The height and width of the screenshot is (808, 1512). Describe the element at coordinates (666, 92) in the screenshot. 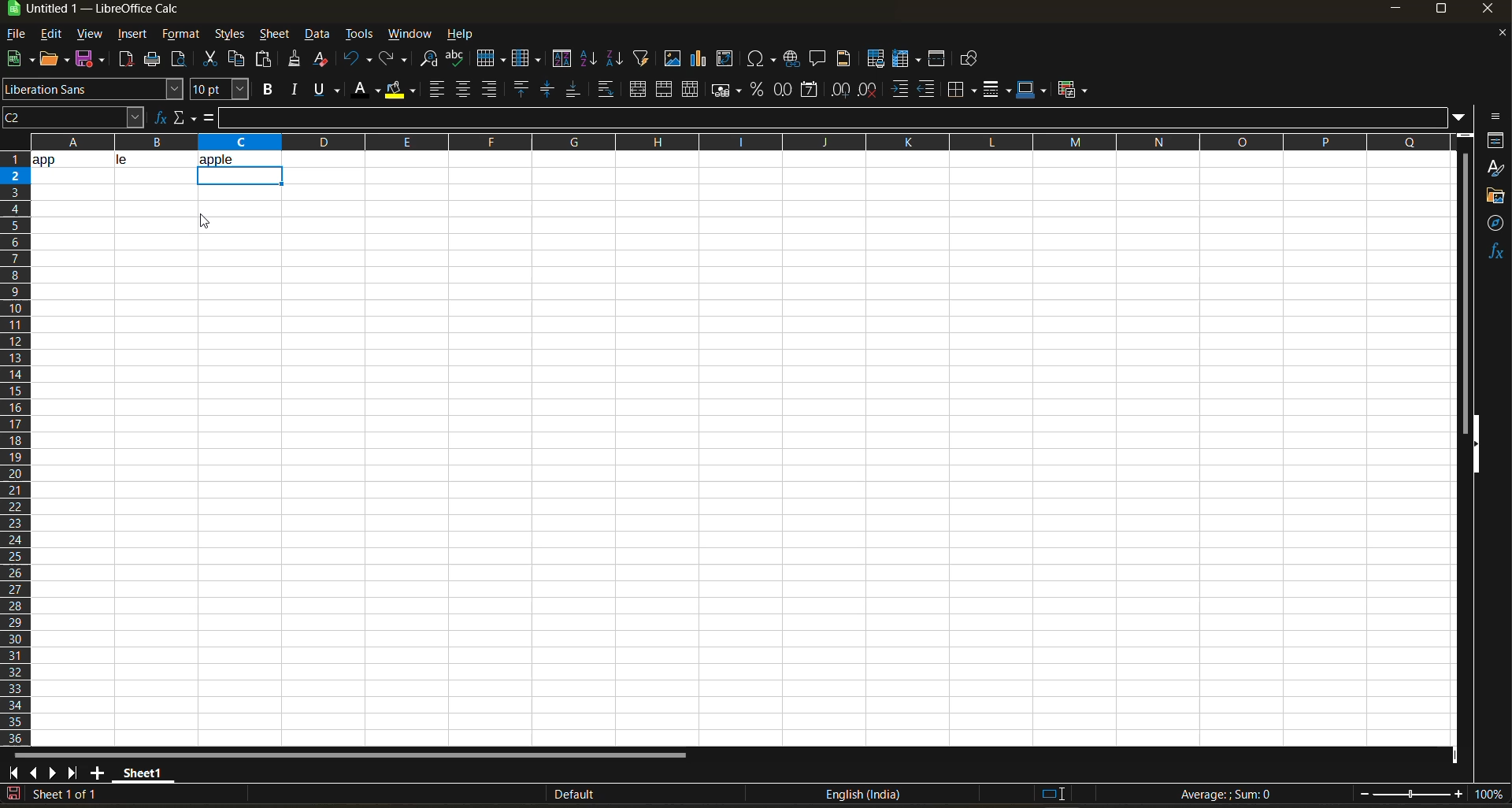

I see `merge cells` at that location.